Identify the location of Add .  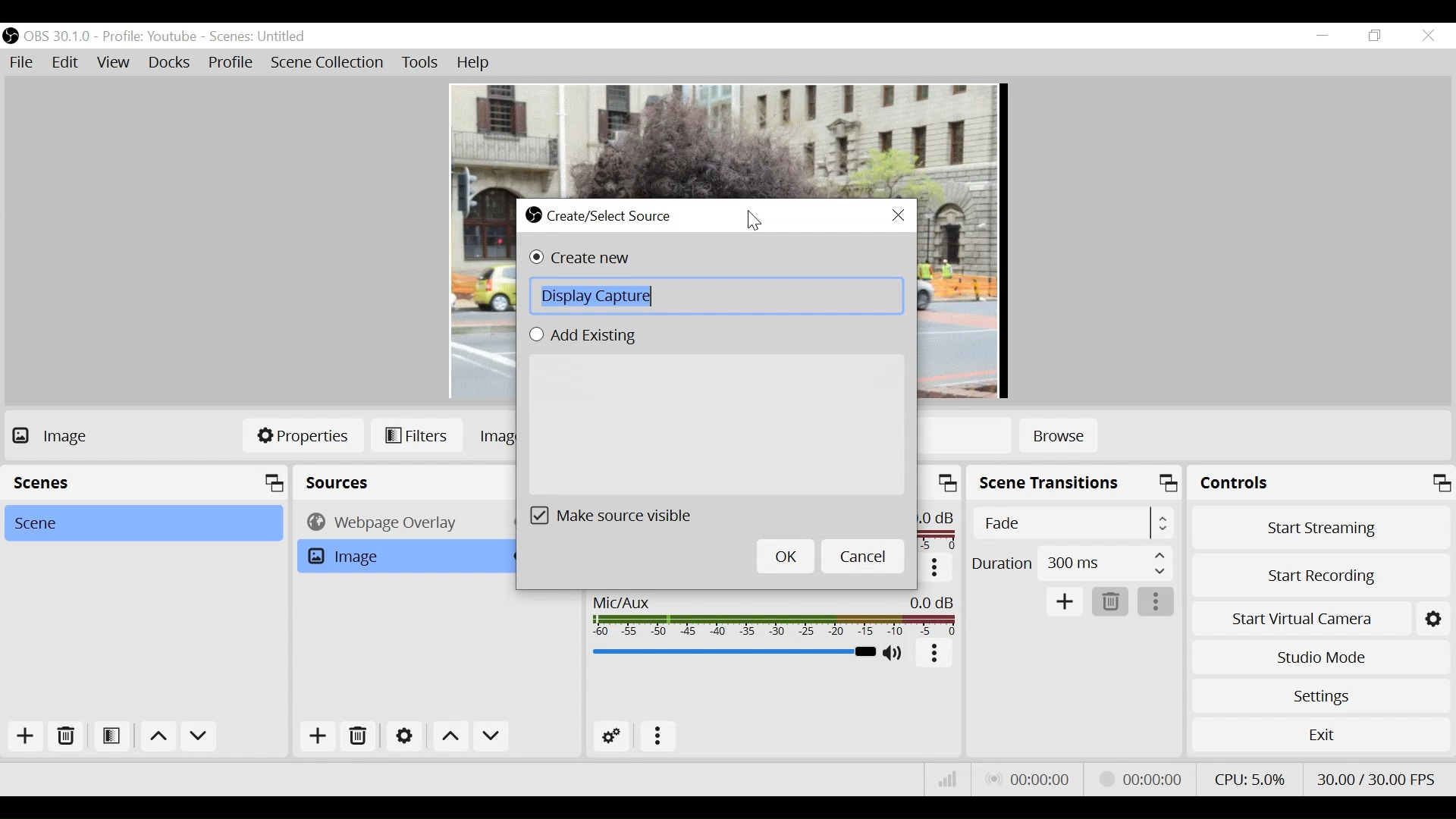
(1065, 602).